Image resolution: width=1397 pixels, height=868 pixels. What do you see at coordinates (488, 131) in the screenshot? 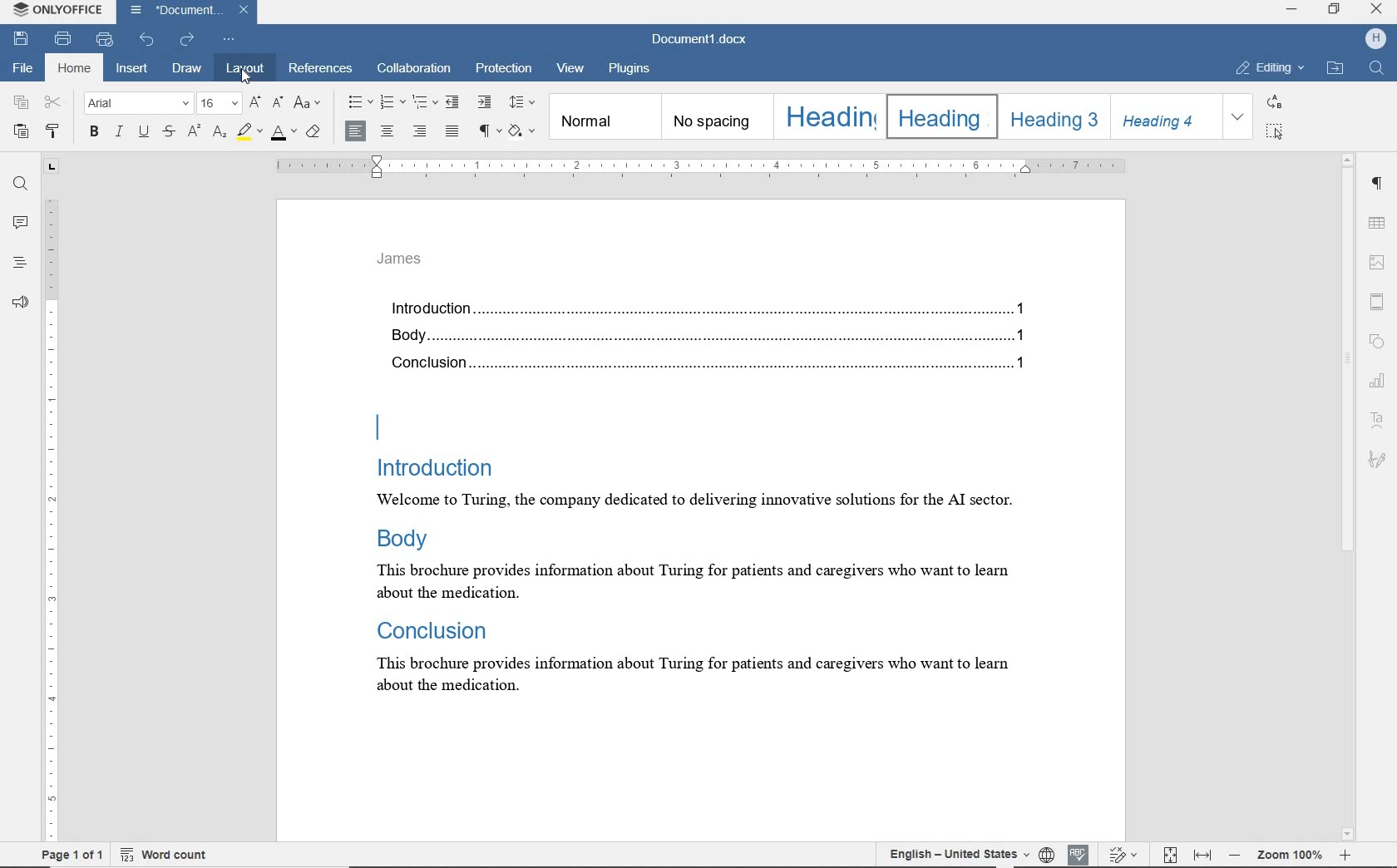
I see `nonprinting characters` at bounding box center [488, 131].